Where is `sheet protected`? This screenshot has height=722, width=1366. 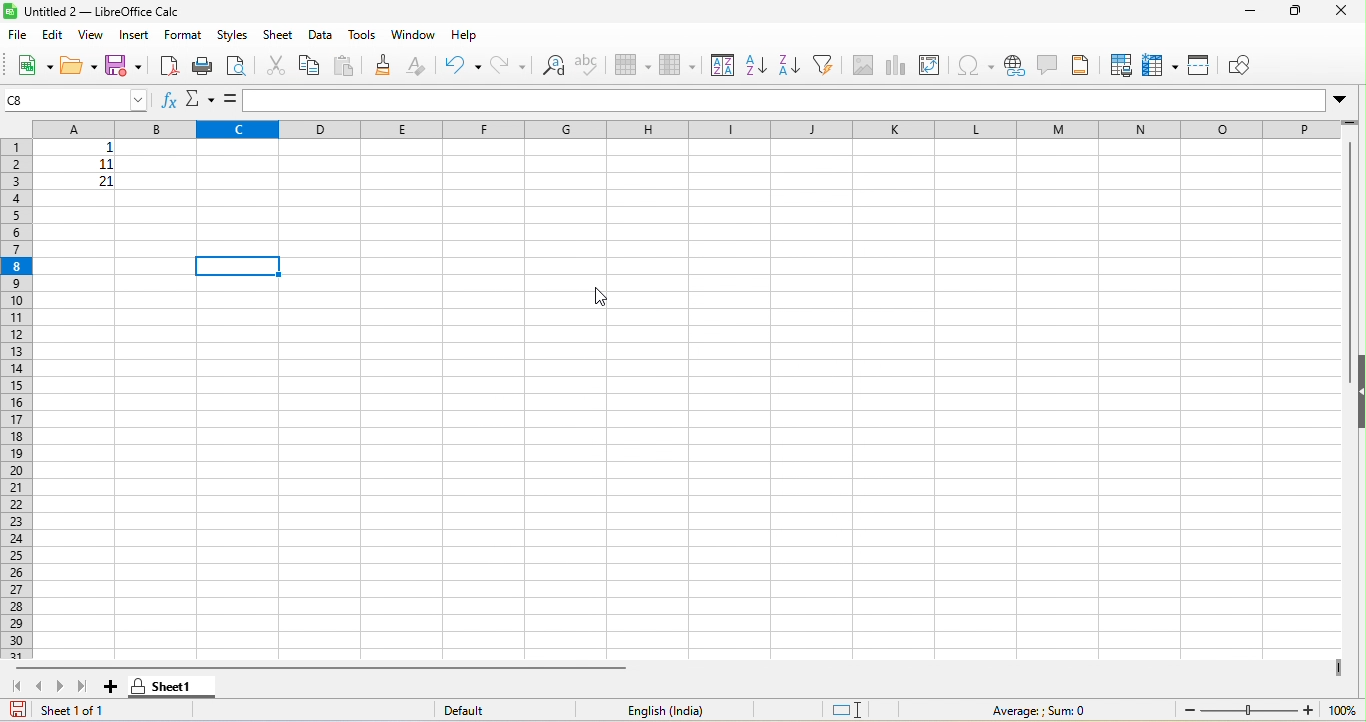
sheet protected is located at coordinates (137, 686).